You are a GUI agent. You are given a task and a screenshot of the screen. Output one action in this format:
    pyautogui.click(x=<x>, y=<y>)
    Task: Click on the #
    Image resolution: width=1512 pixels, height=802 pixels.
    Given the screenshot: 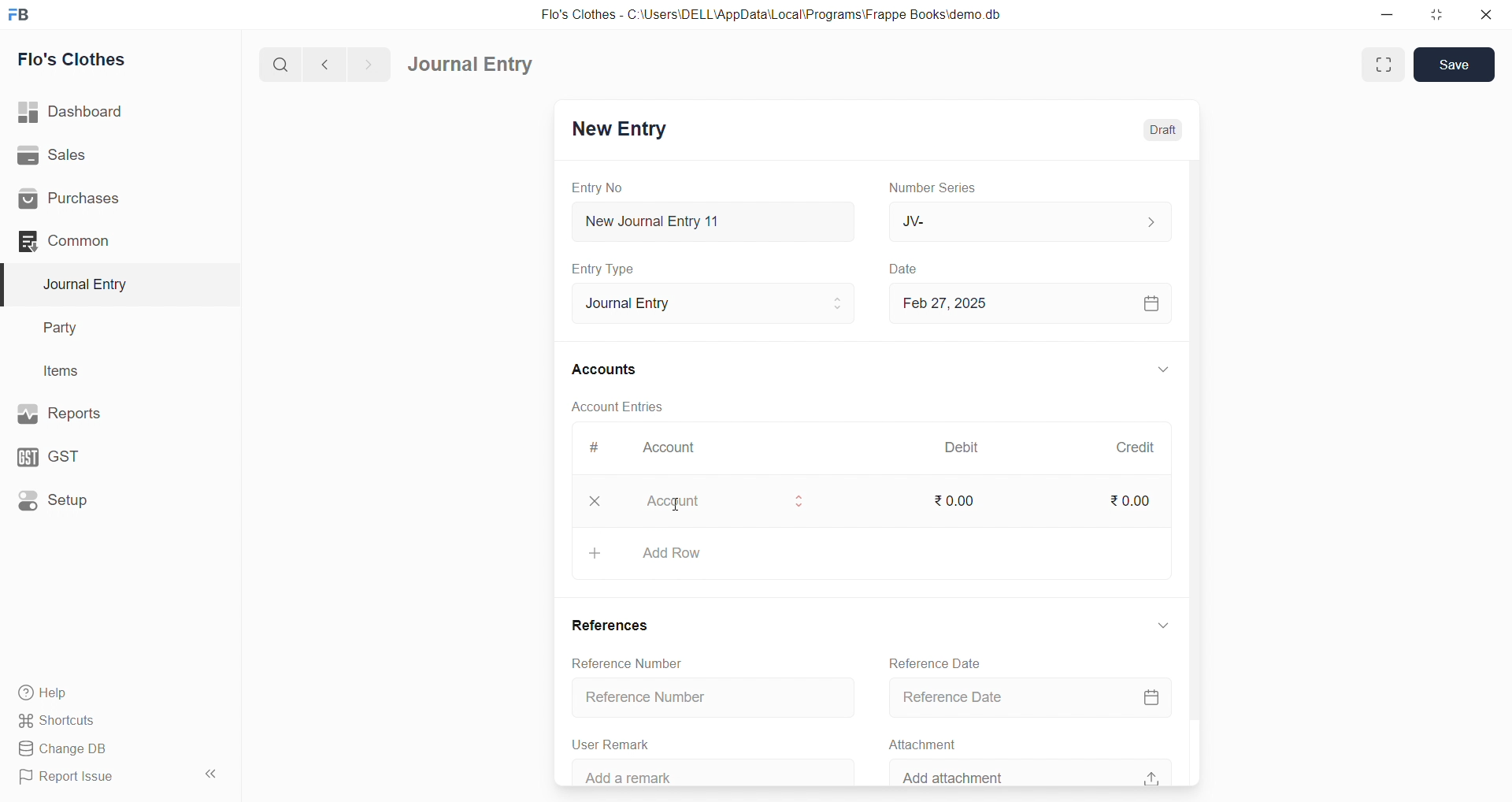 What is the action you would take?
    pyautogui.click(x=594, y=447)
    